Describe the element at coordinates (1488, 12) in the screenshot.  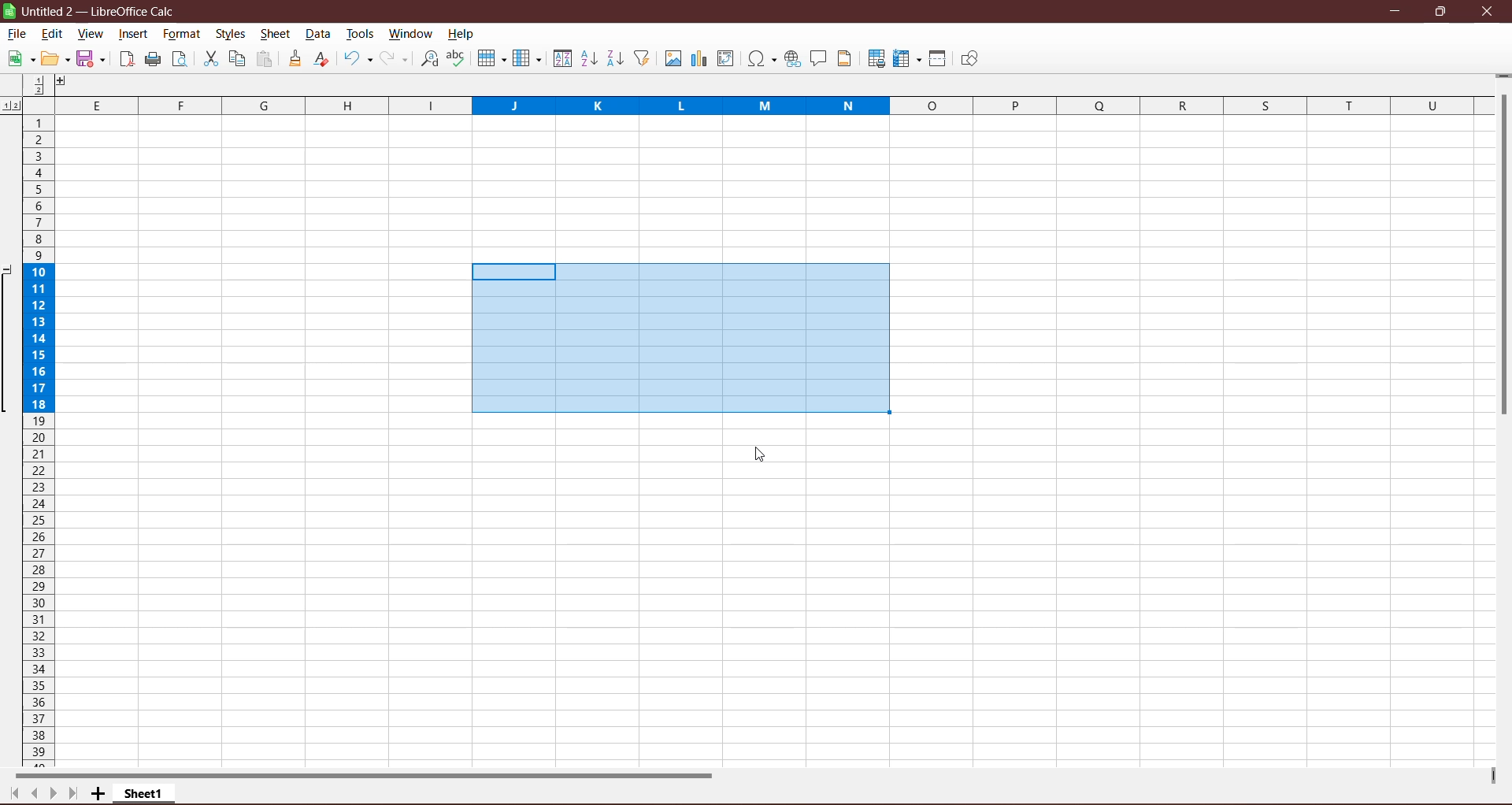
I see `Close` at that location.